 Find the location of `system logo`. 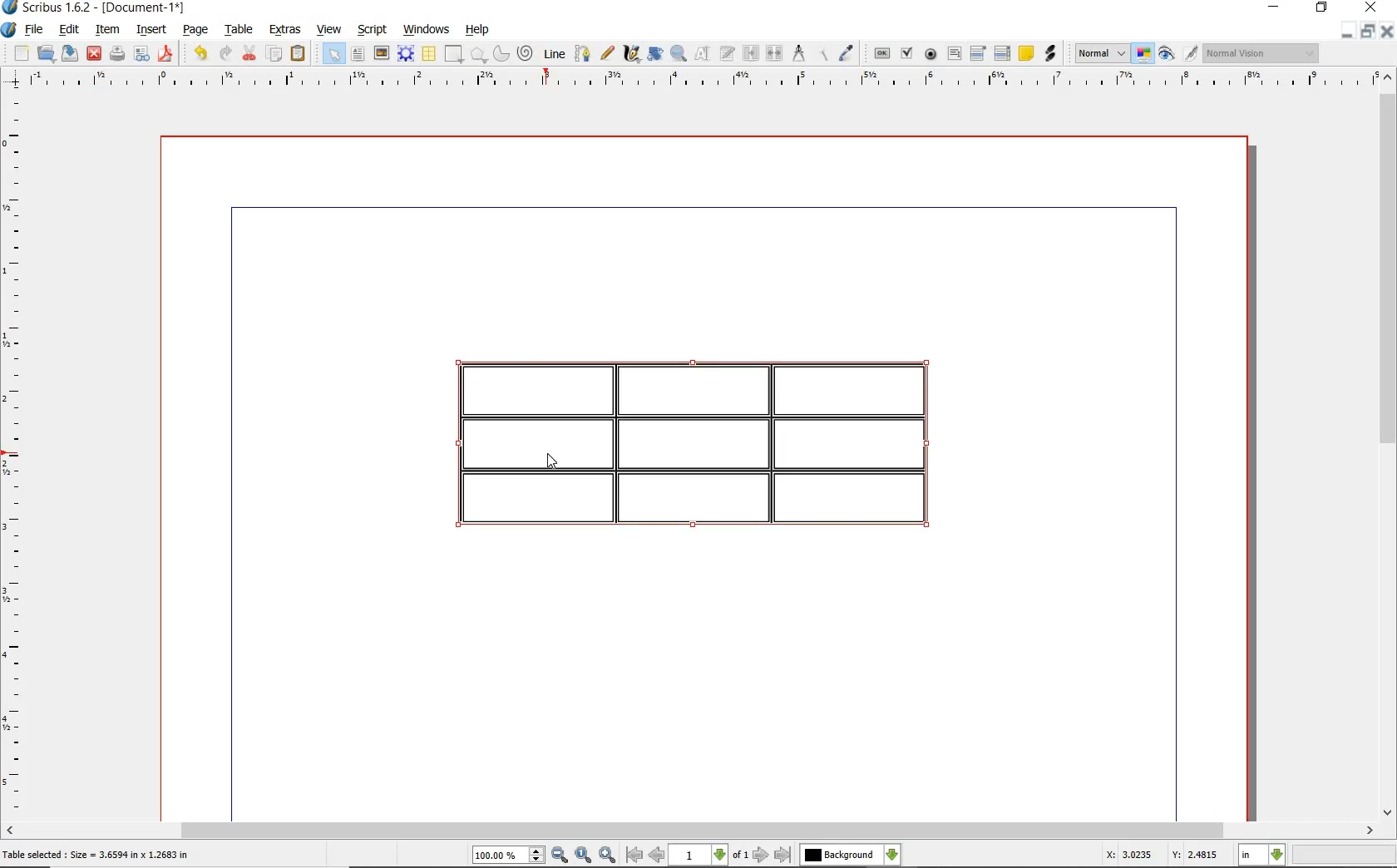

system logo is located at coordinates (9, 30).